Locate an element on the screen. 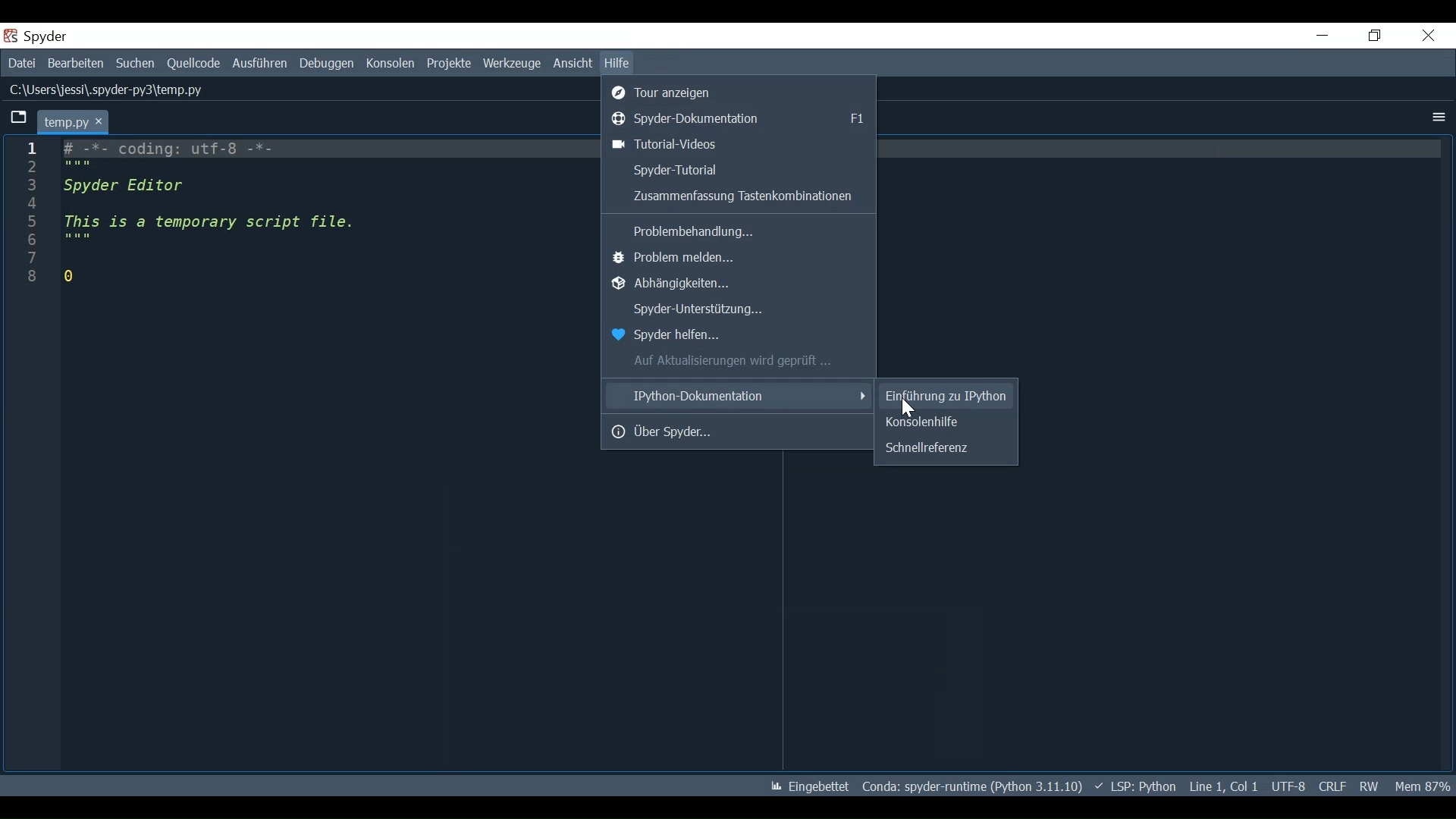 This screenshot has height=819, width=1456. IPython documentation is located at coordinates (739, 395).